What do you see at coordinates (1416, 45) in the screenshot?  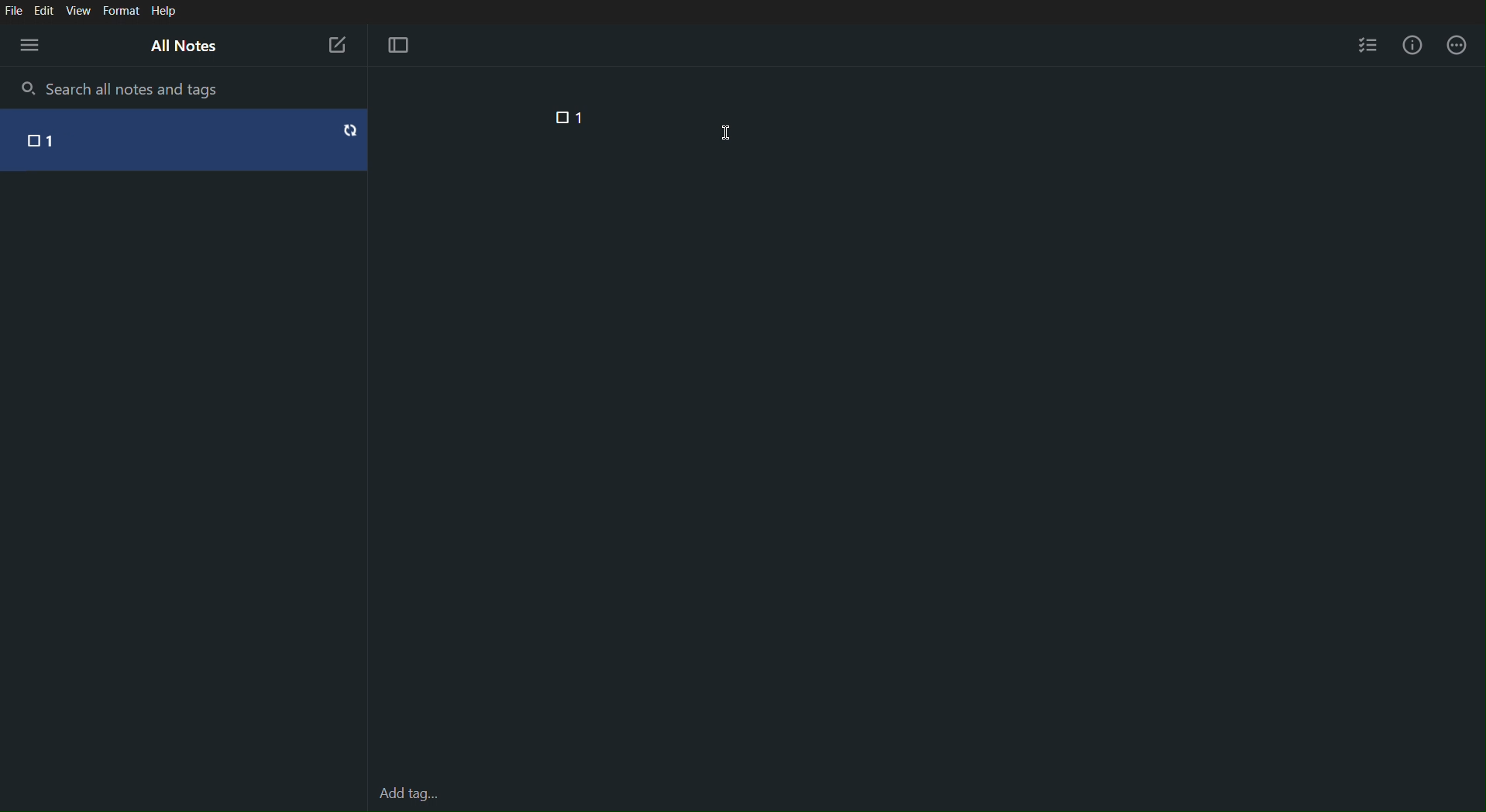 I see `Info` at bounding box center [1416, 45].